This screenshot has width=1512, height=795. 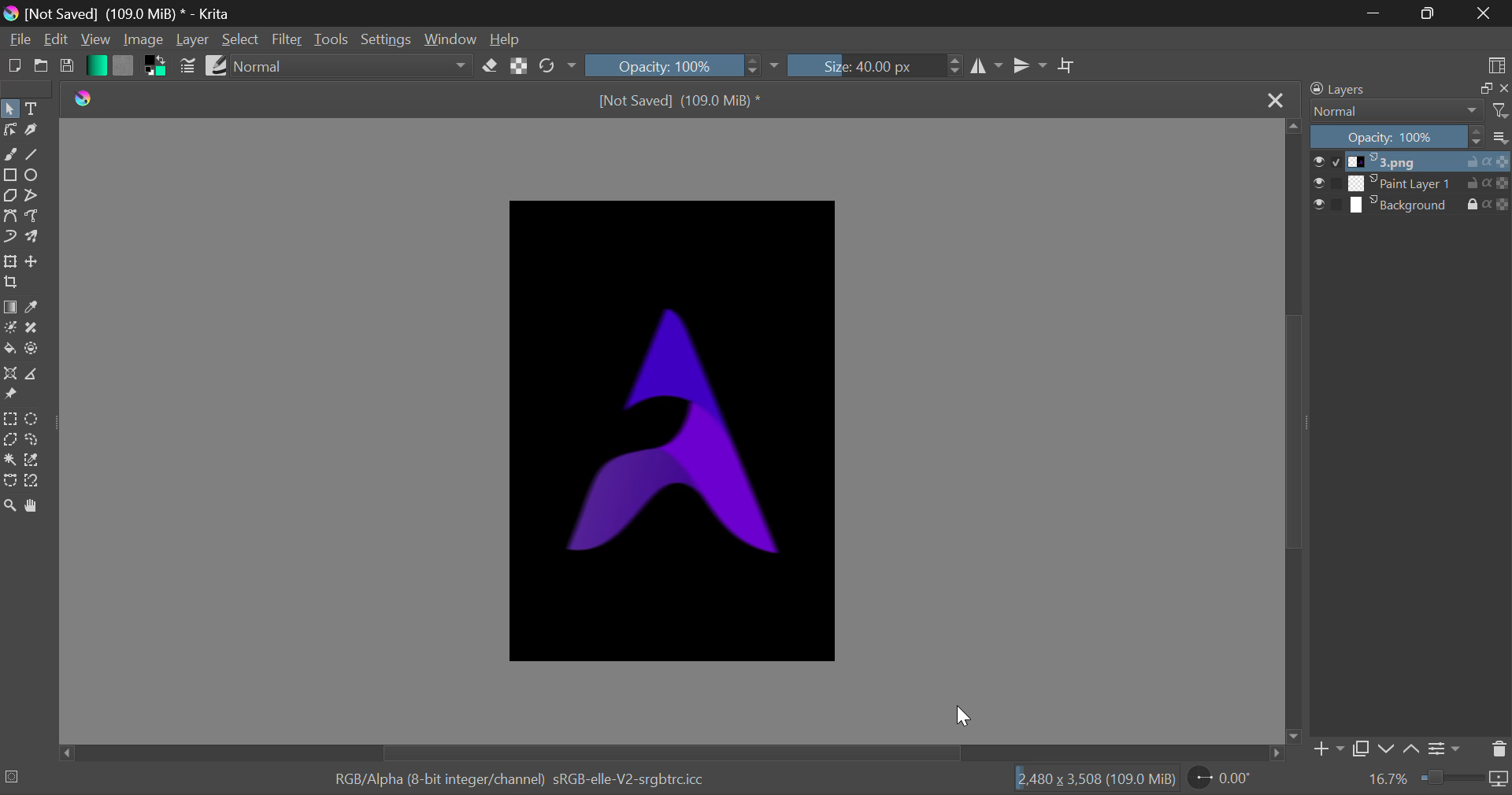 What do you see at coordinates (241, 39) in the screenshot?
I see `Select` at bounding box center [241, 39].